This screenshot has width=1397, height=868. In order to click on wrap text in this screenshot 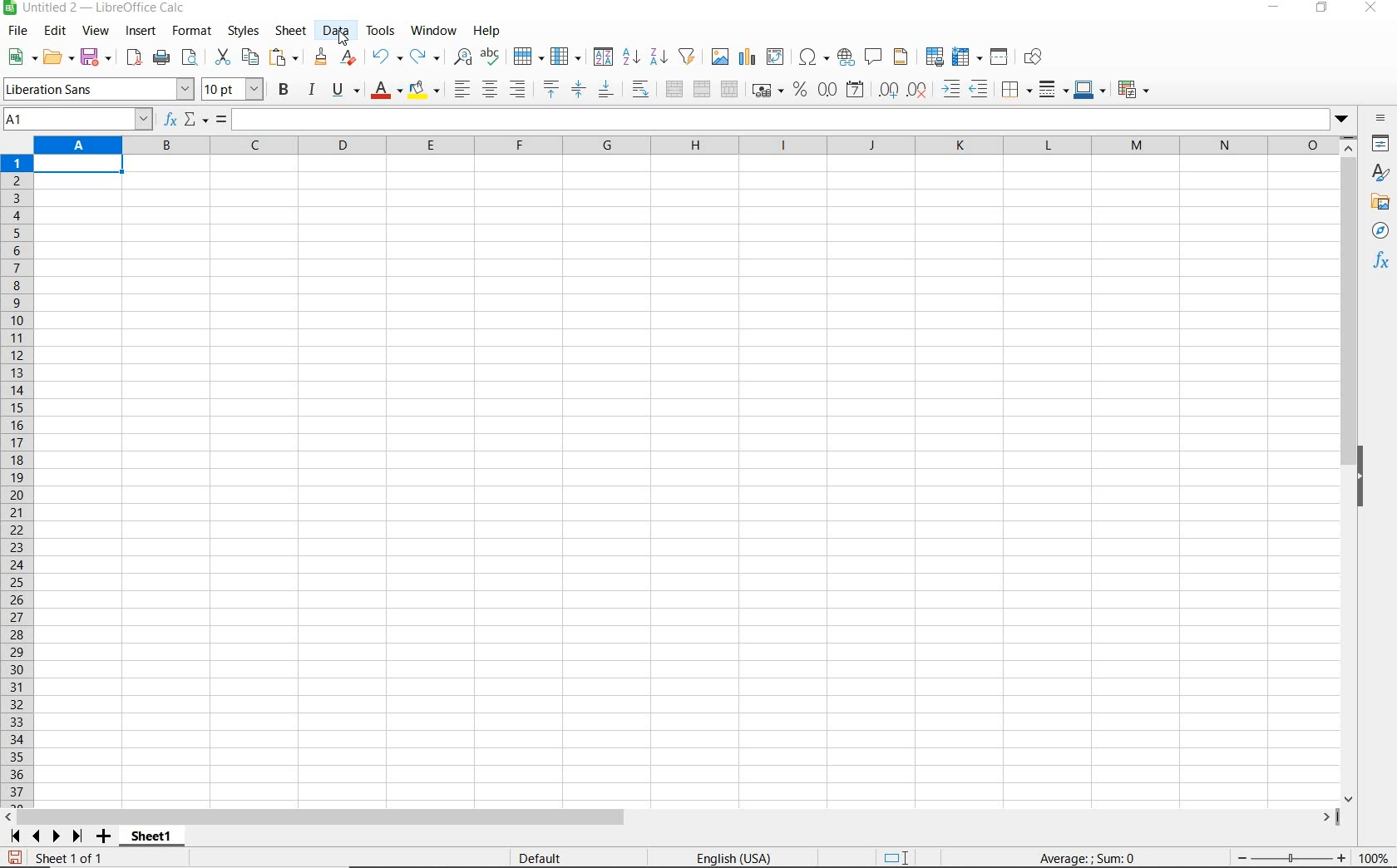, I will do `click(643, 88)`.